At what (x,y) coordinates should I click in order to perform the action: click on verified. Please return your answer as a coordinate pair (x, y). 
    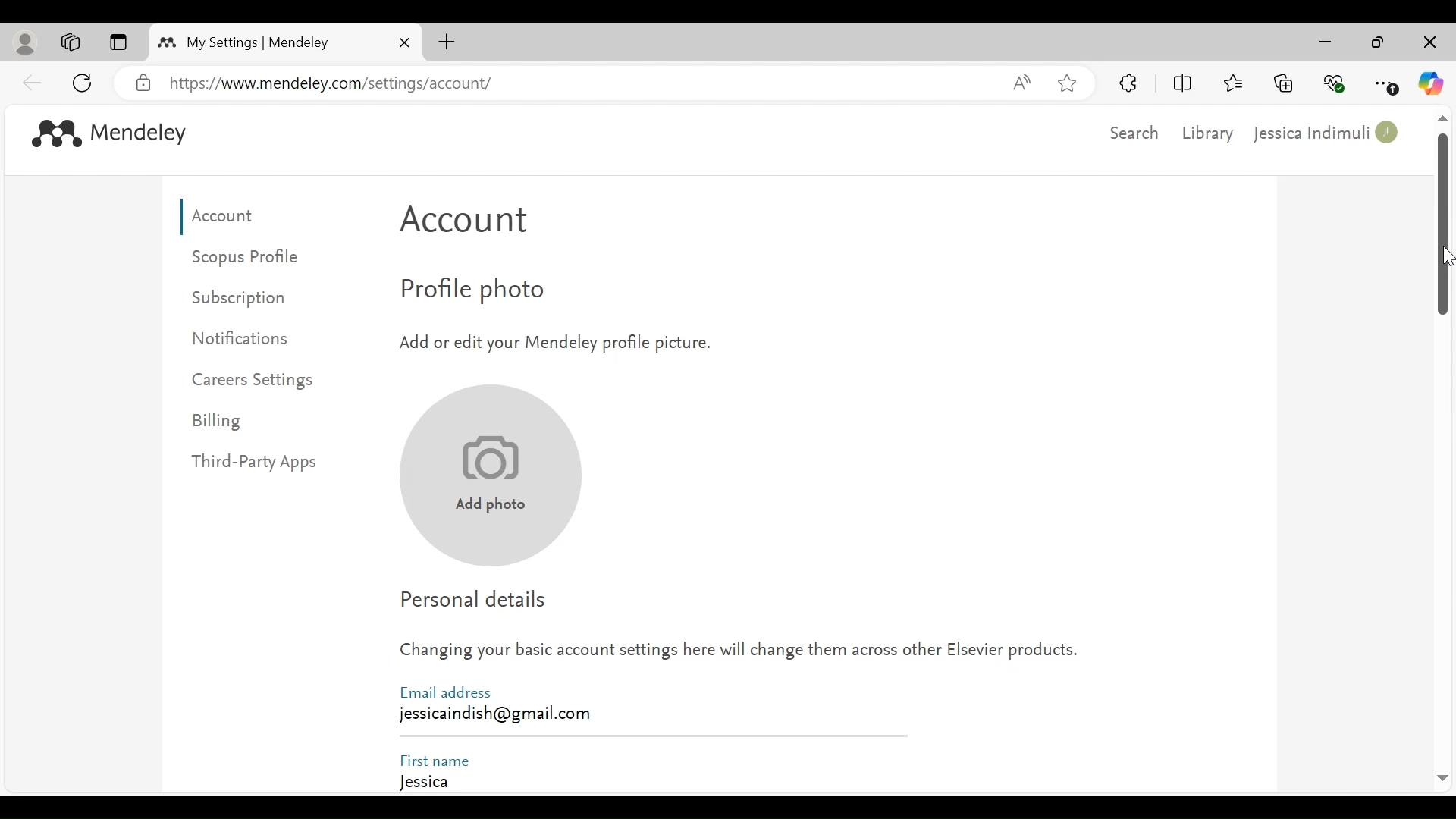
    Looking at the image, I should click on (144, 83).